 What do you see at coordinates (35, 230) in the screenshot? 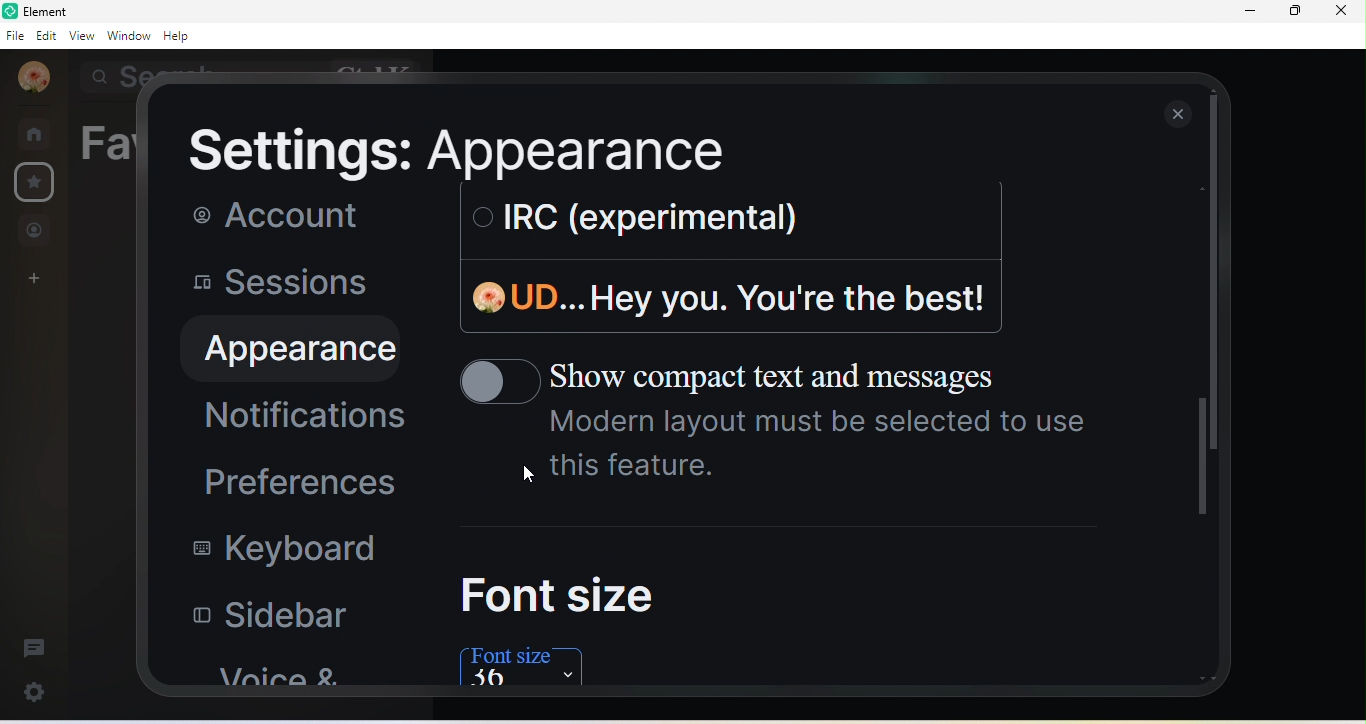
I see `people` at bounding box center [35, 230].